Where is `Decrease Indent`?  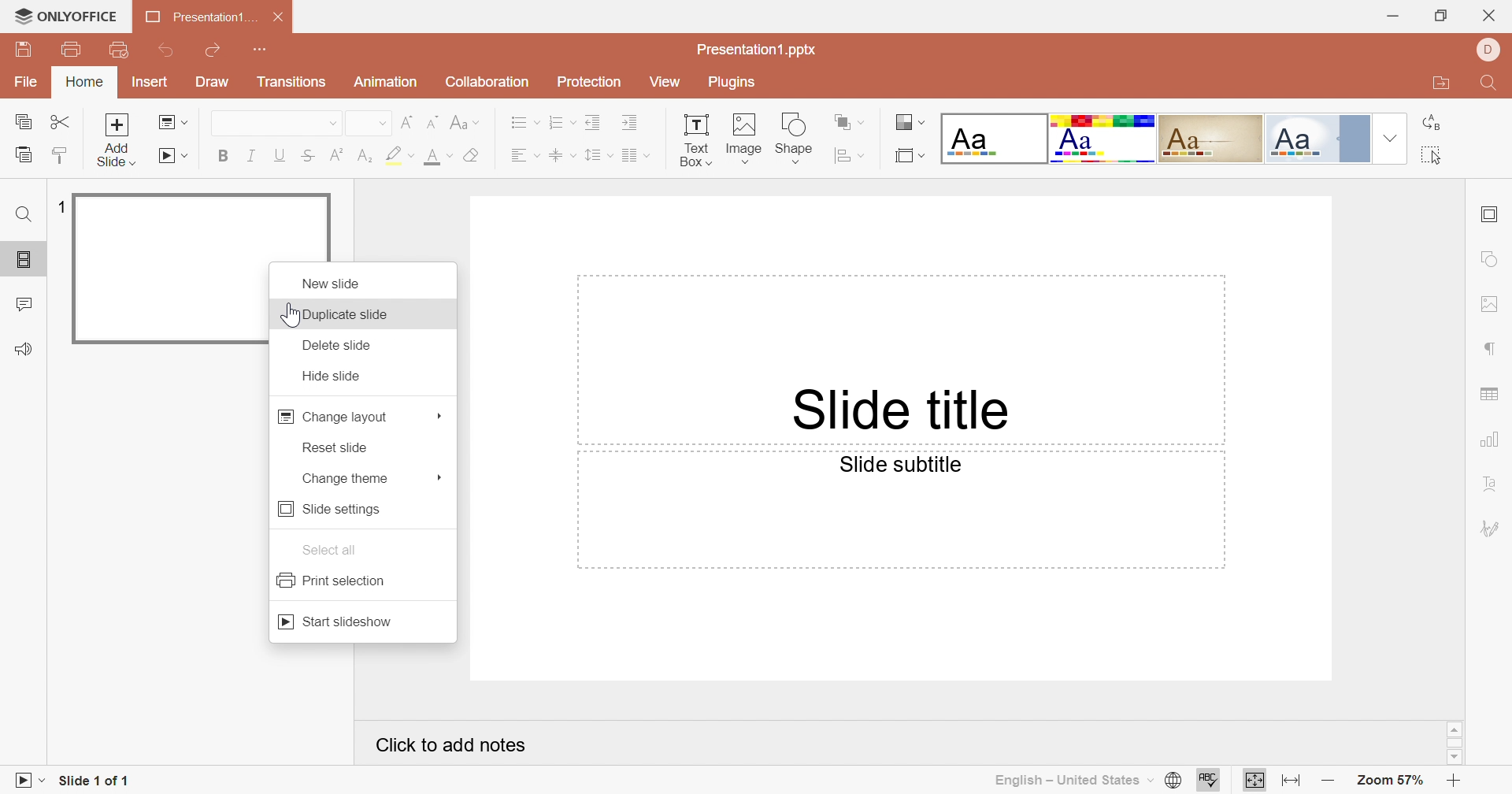 Decrease Indent is located at coordinates (591, 121).